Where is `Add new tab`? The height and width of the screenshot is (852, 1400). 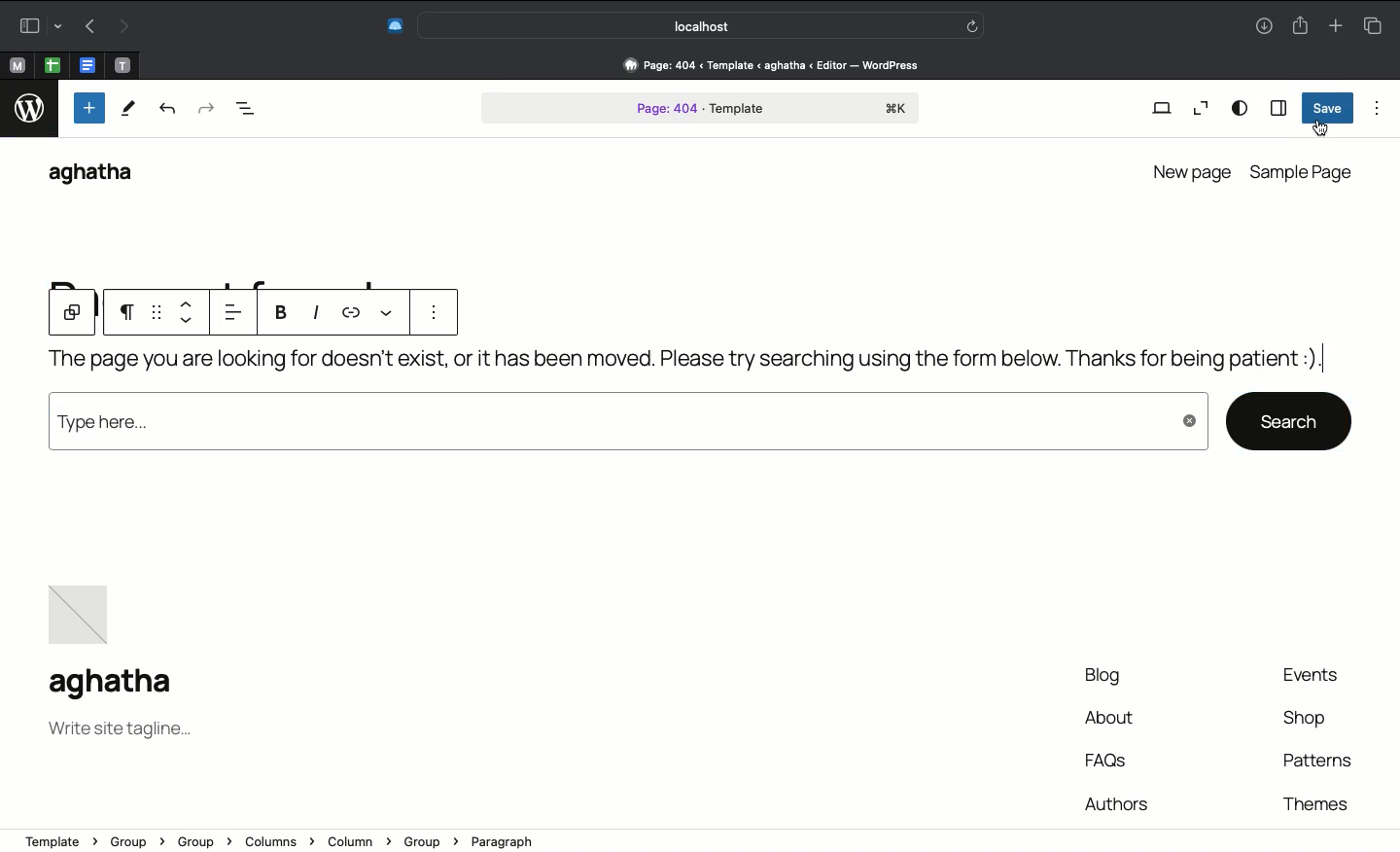 Add new tab is located at coordinates (1335, 22).